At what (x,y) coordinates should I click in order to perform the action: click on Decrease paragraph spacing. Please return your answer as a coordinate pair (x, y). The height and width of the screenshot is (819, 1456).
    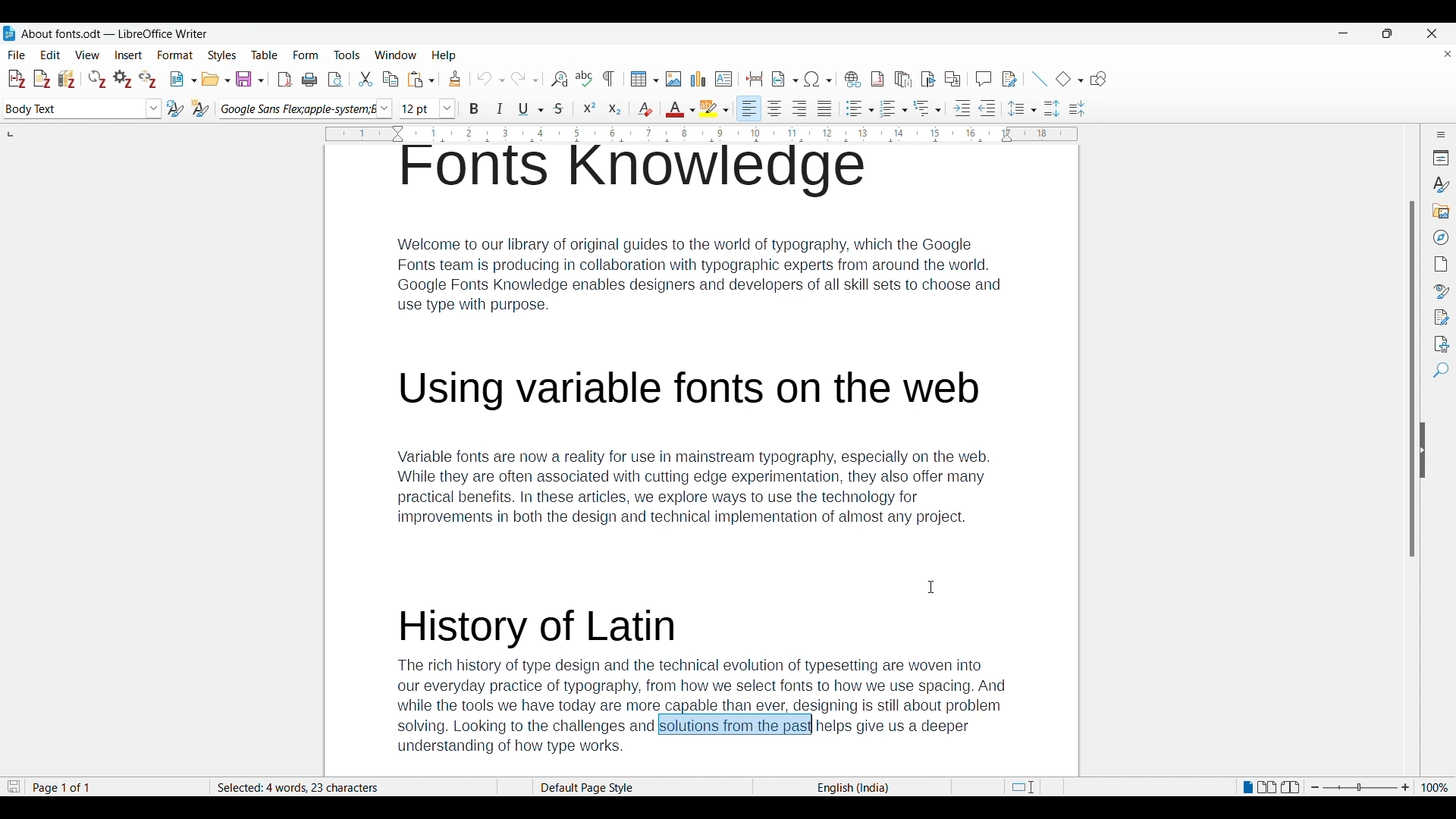
    Looking at the image, I should click on (1077, 108).